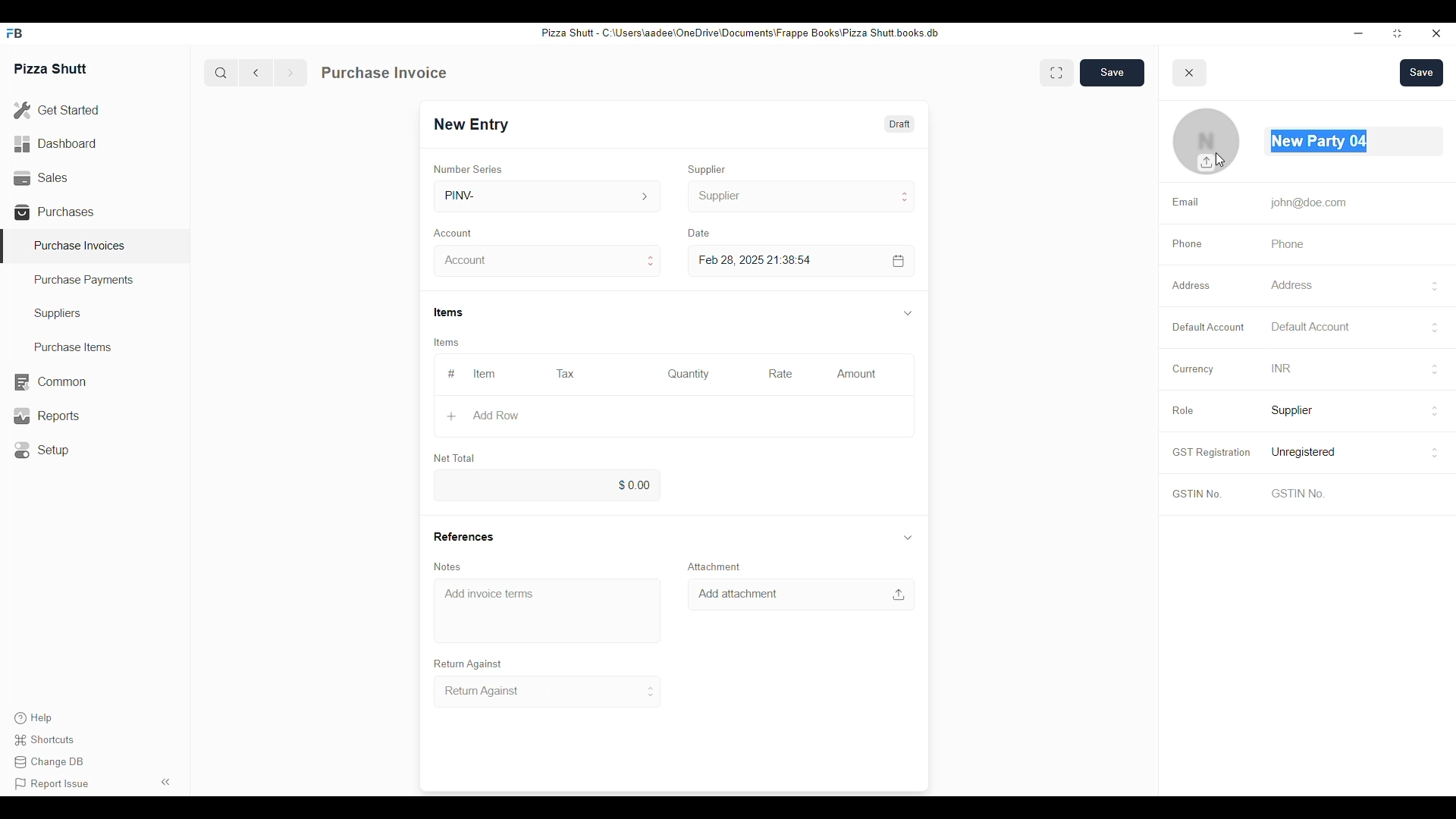 The image size is (1456, 819). What do you see at coordinates (57, 212) in the screenshot?
I see `Purchases` at bounding box center [57, 212].